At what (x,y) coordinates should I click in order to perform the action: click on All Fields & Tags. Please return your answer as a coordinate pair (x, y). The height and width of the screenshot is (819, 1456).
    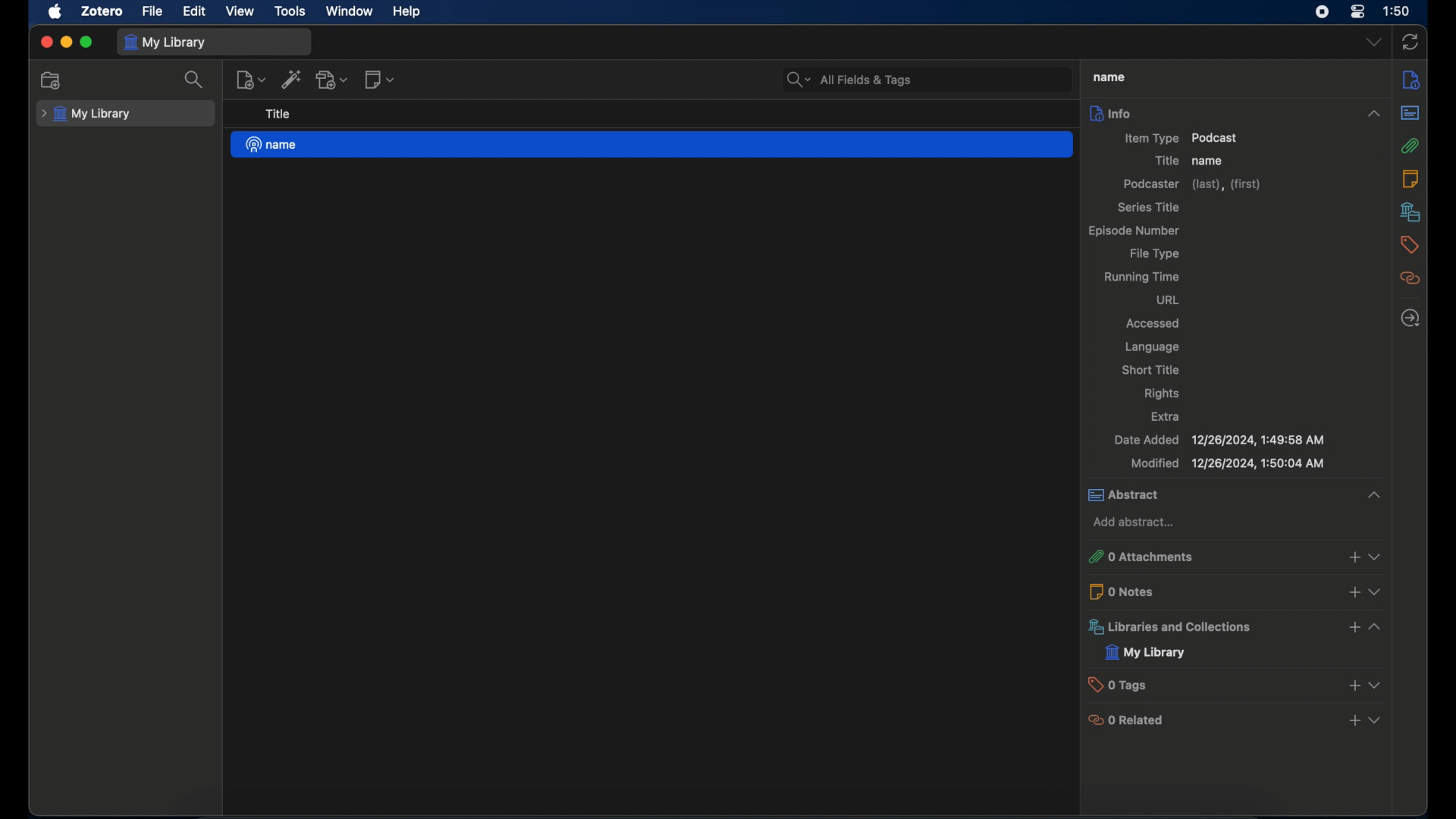
    Looking at the image, I should click on (924, 79).